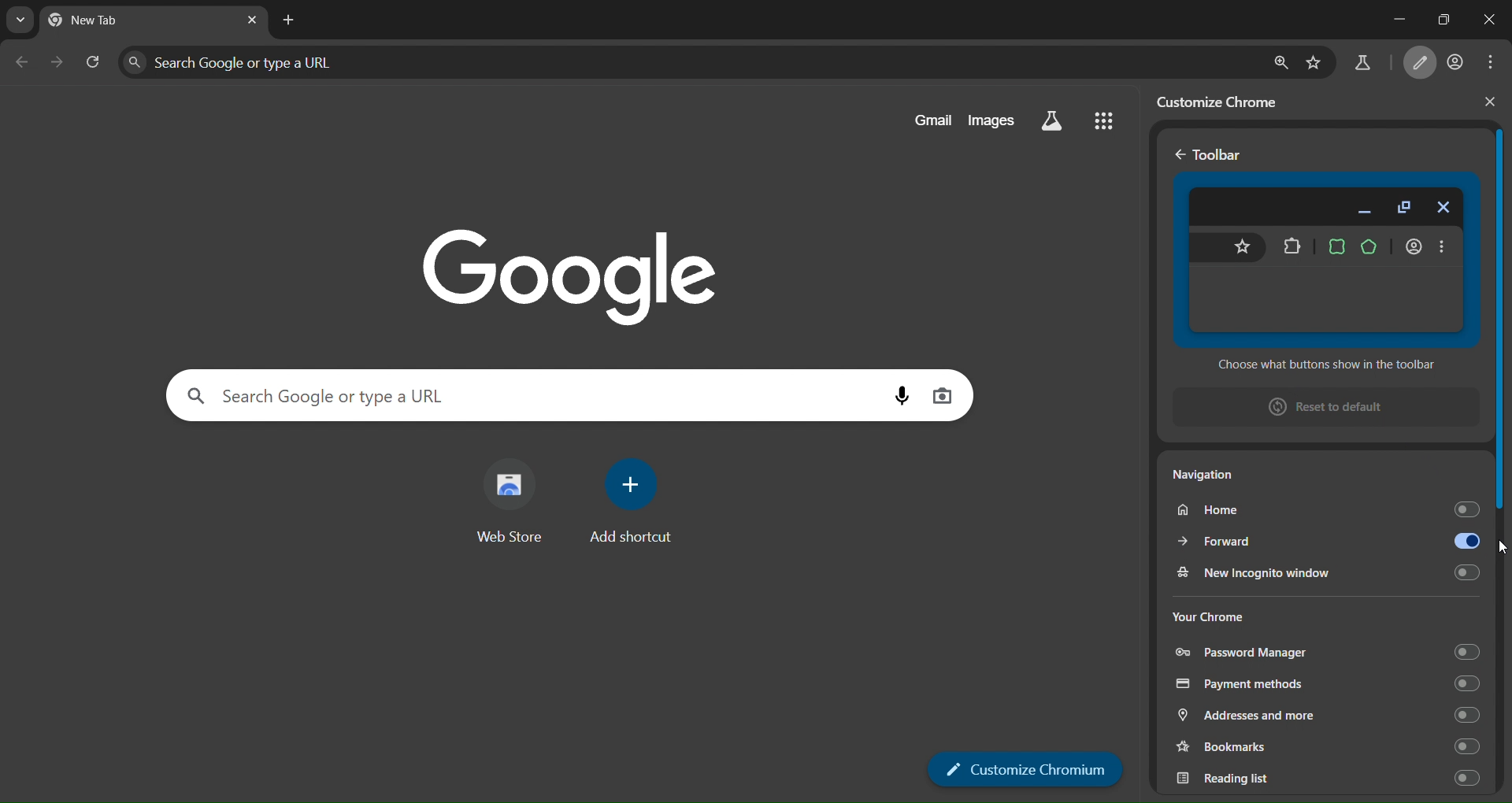 The height and width of the screenshot is (803, 1512). What do you see at coordinates (1322, 777) in the screenshot?
I see `reading list` at bounding box center [1322, 777].